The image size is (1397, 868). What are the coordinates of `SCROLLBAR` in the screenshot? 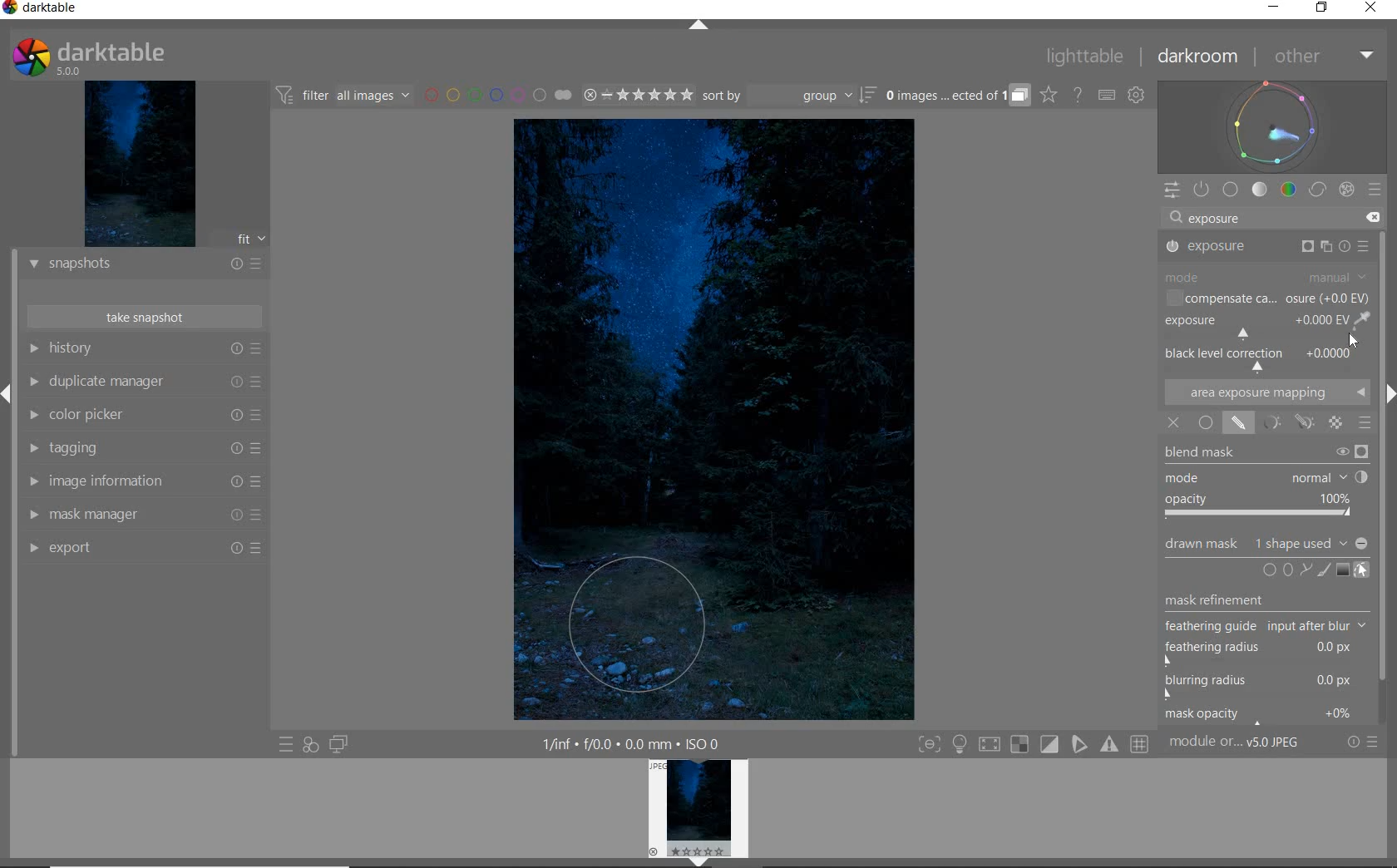 It's located at (1389, 303).